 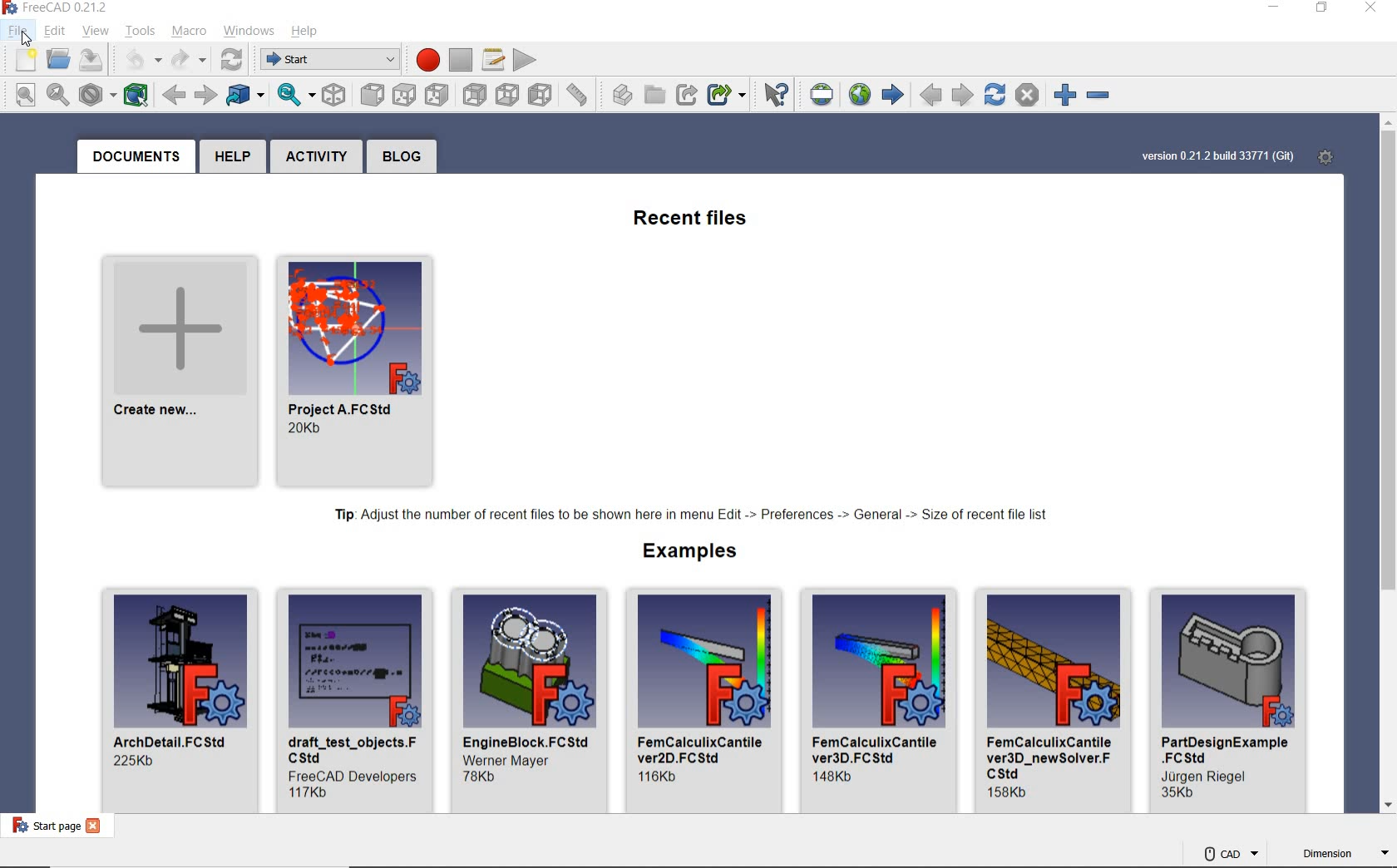 I want to click on name, so click(x=527, y=740).